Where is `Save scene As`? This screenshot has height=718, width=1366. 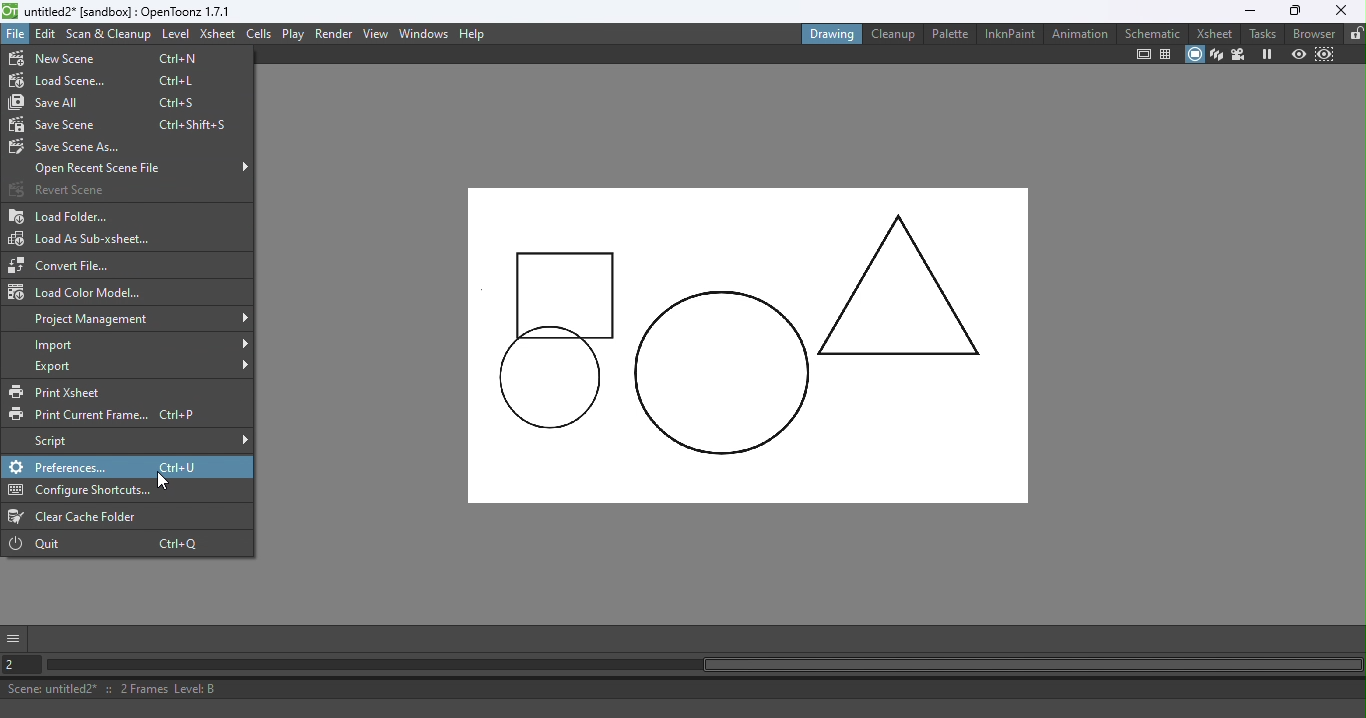 Save scene As is located at coordinates (108, 146).